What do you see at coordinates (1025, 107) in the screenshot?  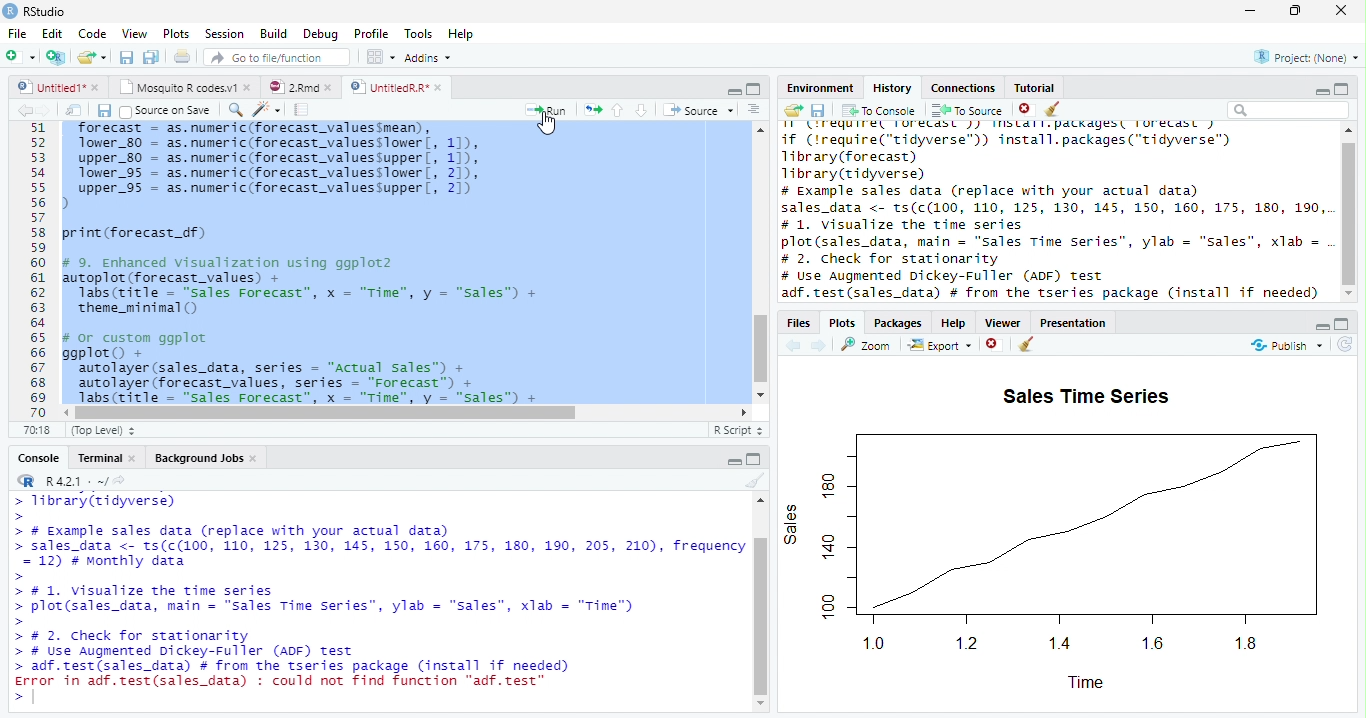 I see `Delete` at bounding box center [1025, 107].